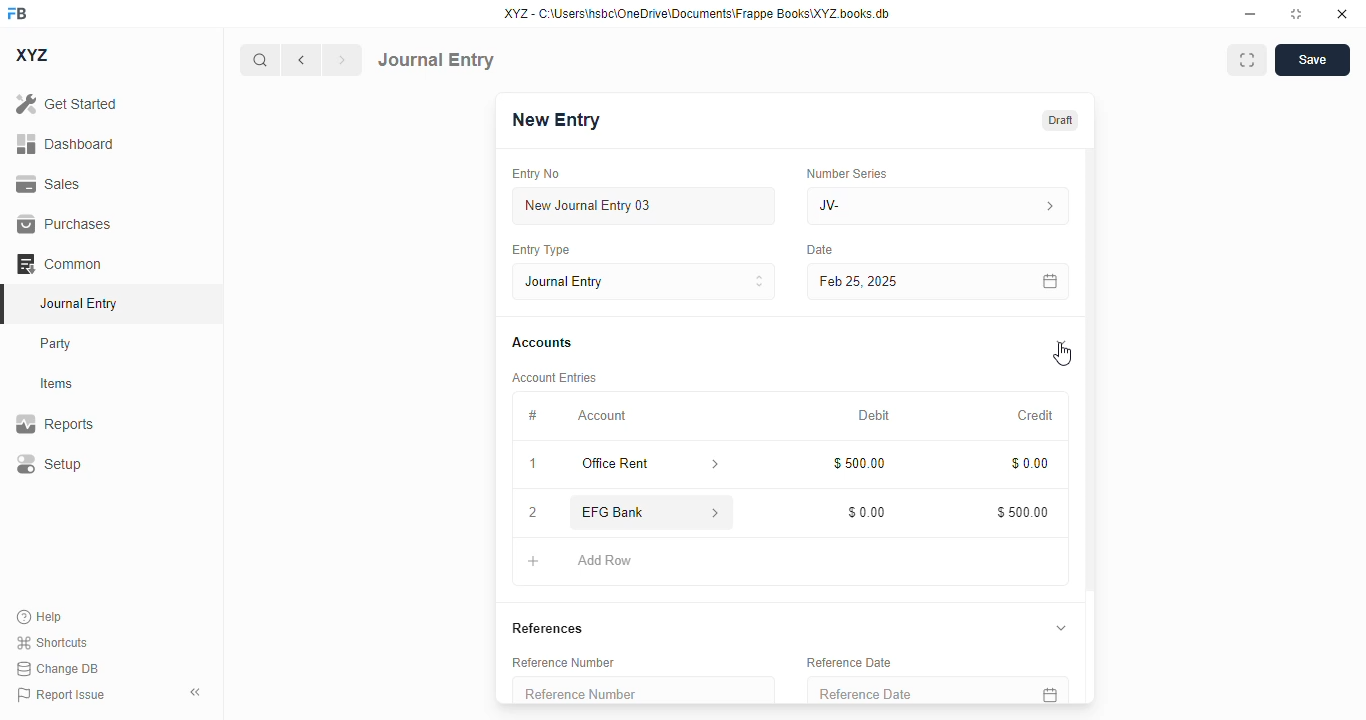  What do you see at coordinates (1248, 60) in the screenshot?
I see `toggle between form and full width` at bounding box center [1248, 60].